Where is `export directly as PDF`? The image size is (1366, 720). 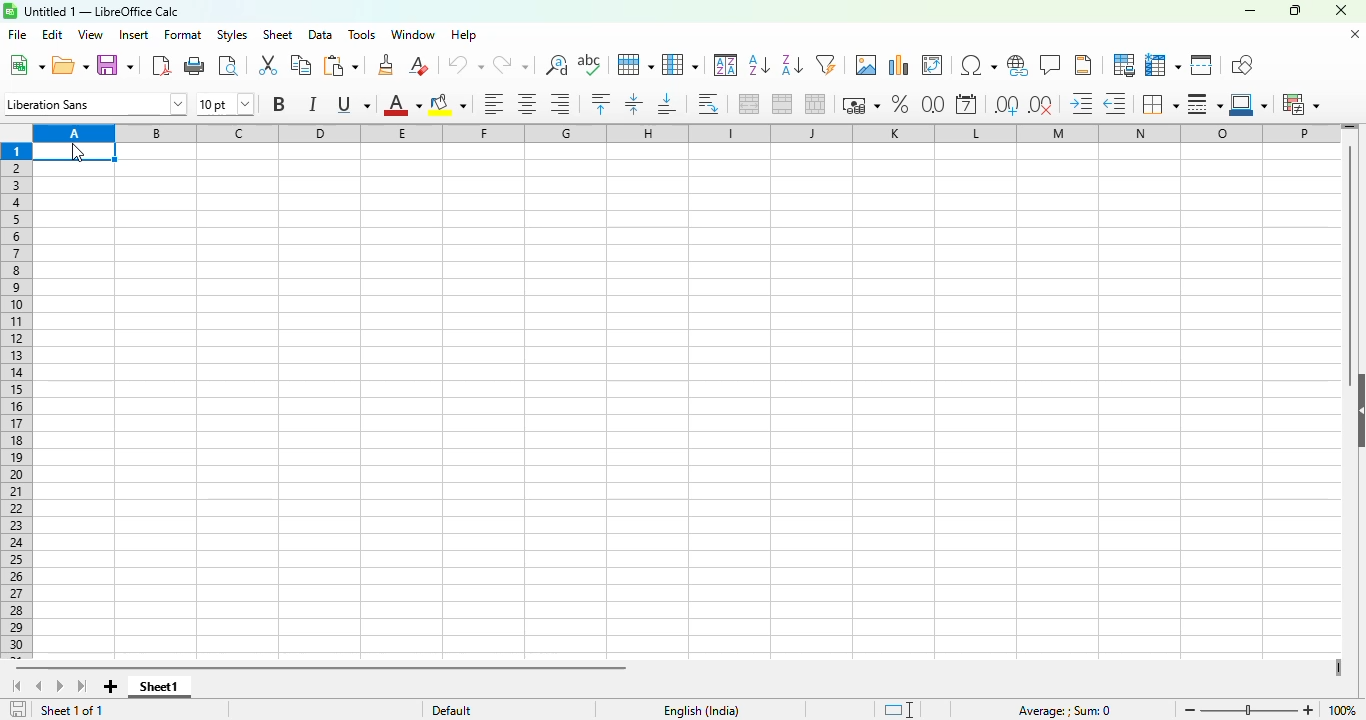
export directly as PDF is located at coordinates (161, 65).